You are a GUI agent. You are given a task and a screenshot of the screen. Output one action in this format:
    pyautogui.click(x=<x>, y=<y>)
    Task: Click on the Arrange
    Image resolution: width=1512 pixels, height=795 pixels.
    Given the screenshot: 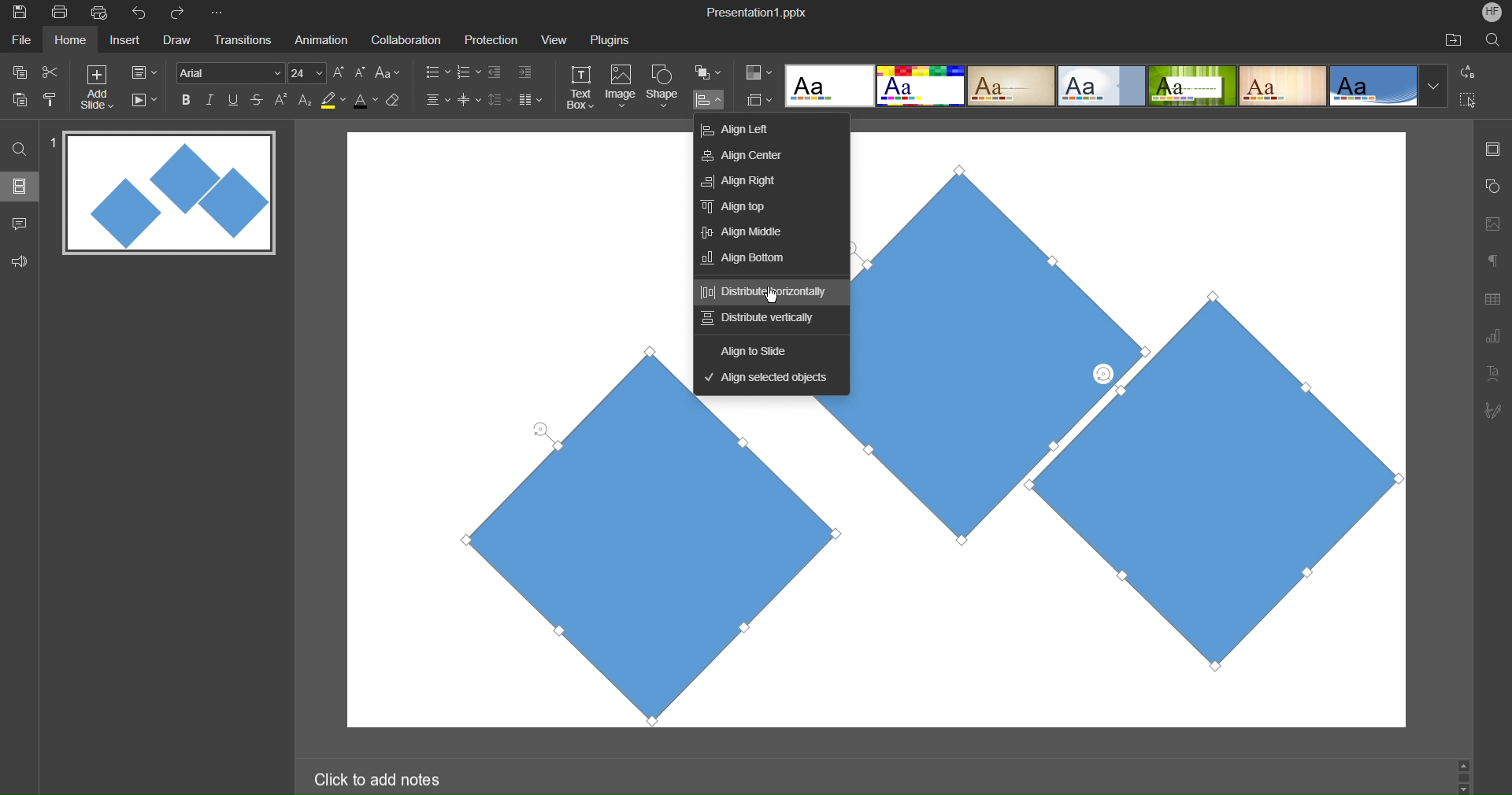 What is the action you would take?
    pyautogui.click(x=709, y=72)
    